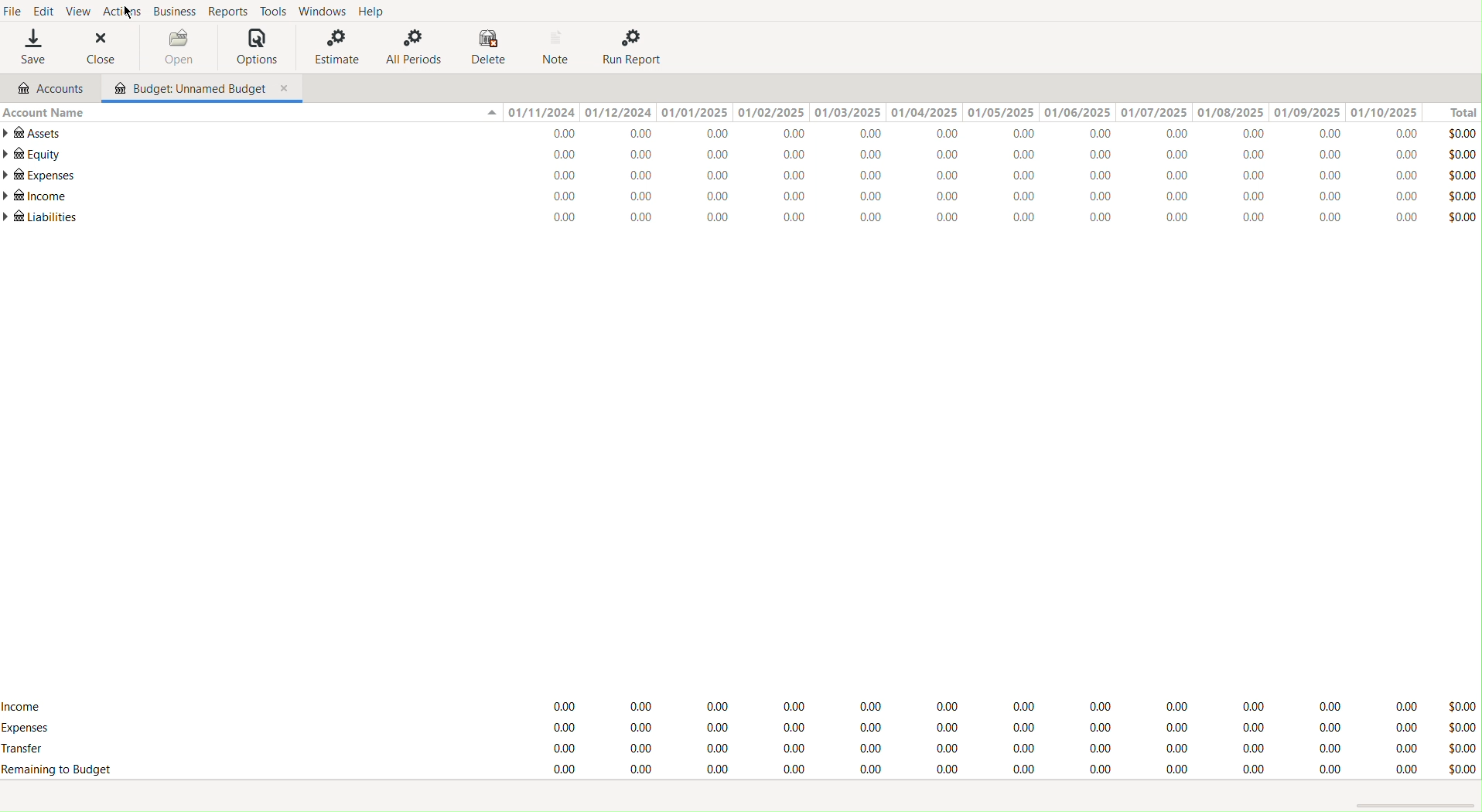  What do you see at coordinates (57, 769) in the screenshot?
I see `Remaining Budget` at bounding box center [57, 769].